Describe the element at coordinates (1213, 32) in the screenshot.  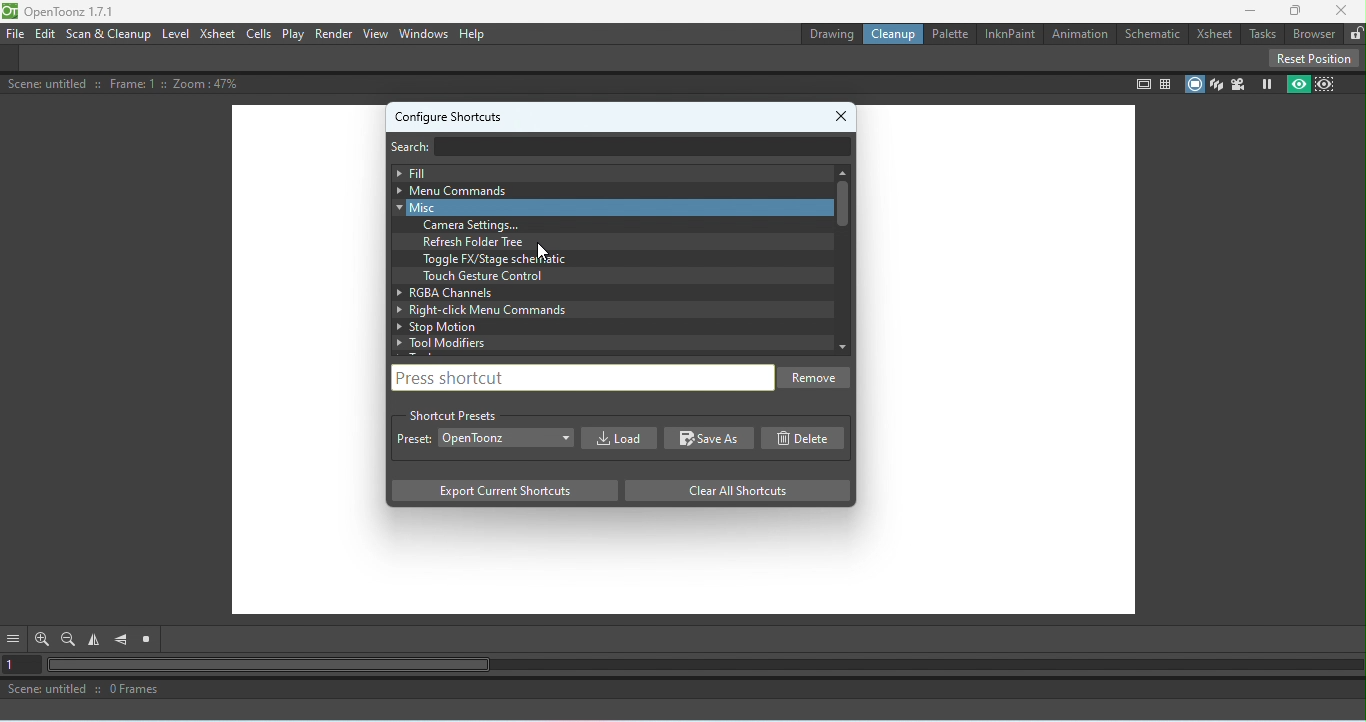
I see `Xsheet` at that location.